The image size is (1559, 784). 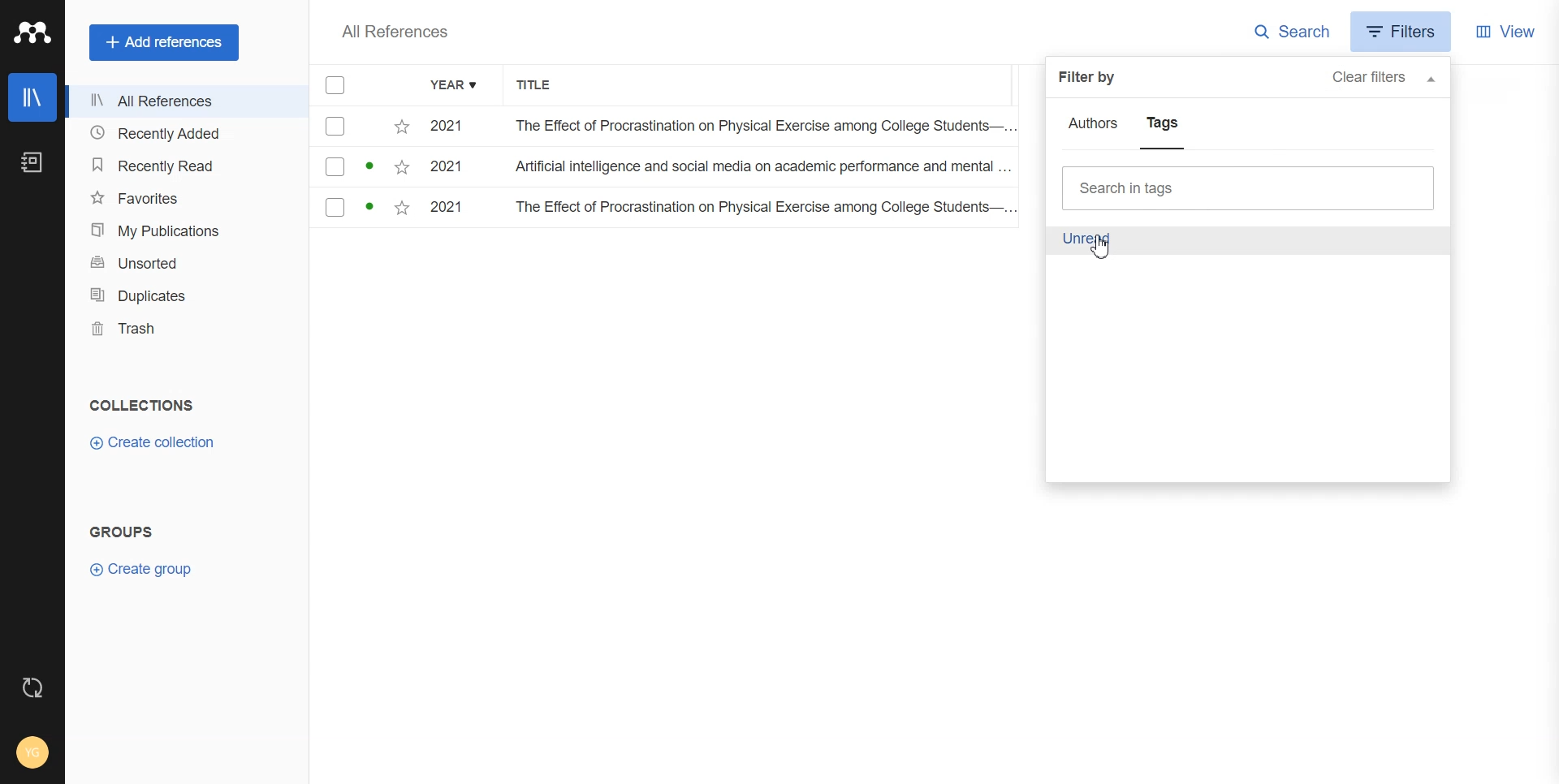 I want to click on Logo, so click(x=32, y=33).